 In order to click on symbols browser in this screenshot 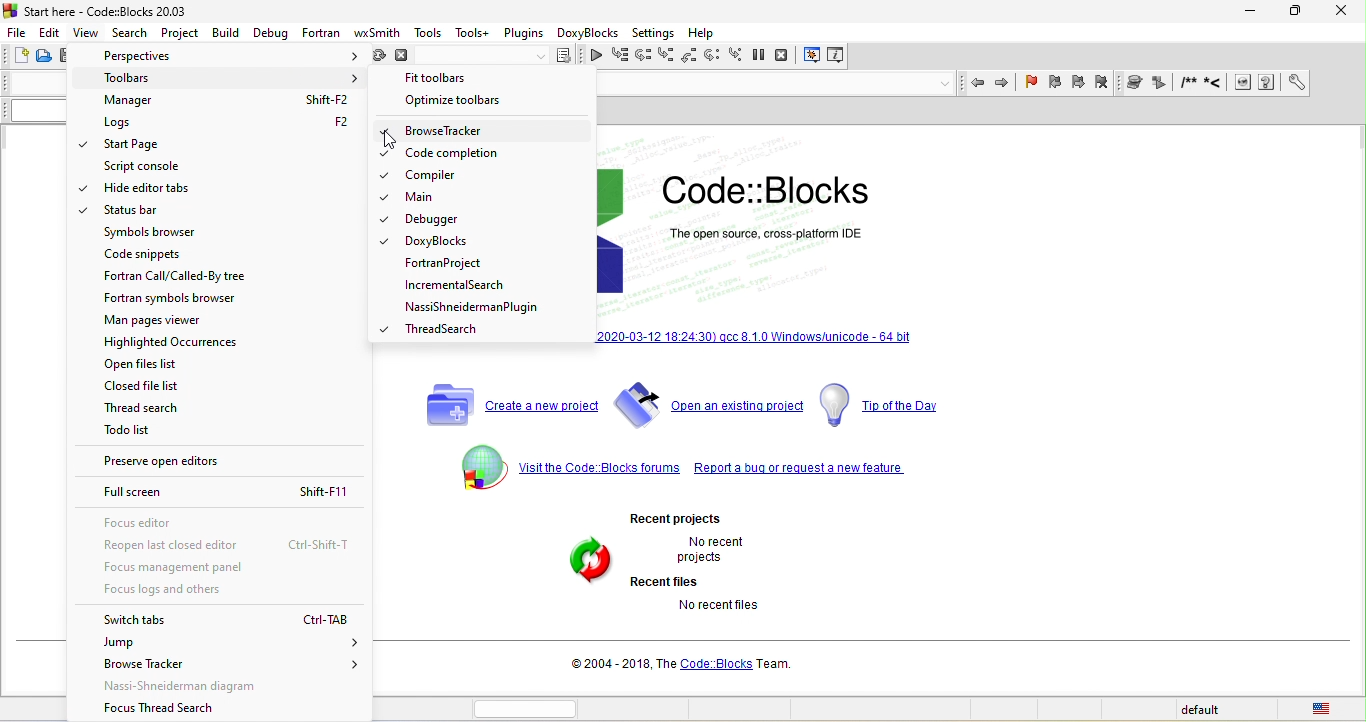, I will do `click(150, 234)`.